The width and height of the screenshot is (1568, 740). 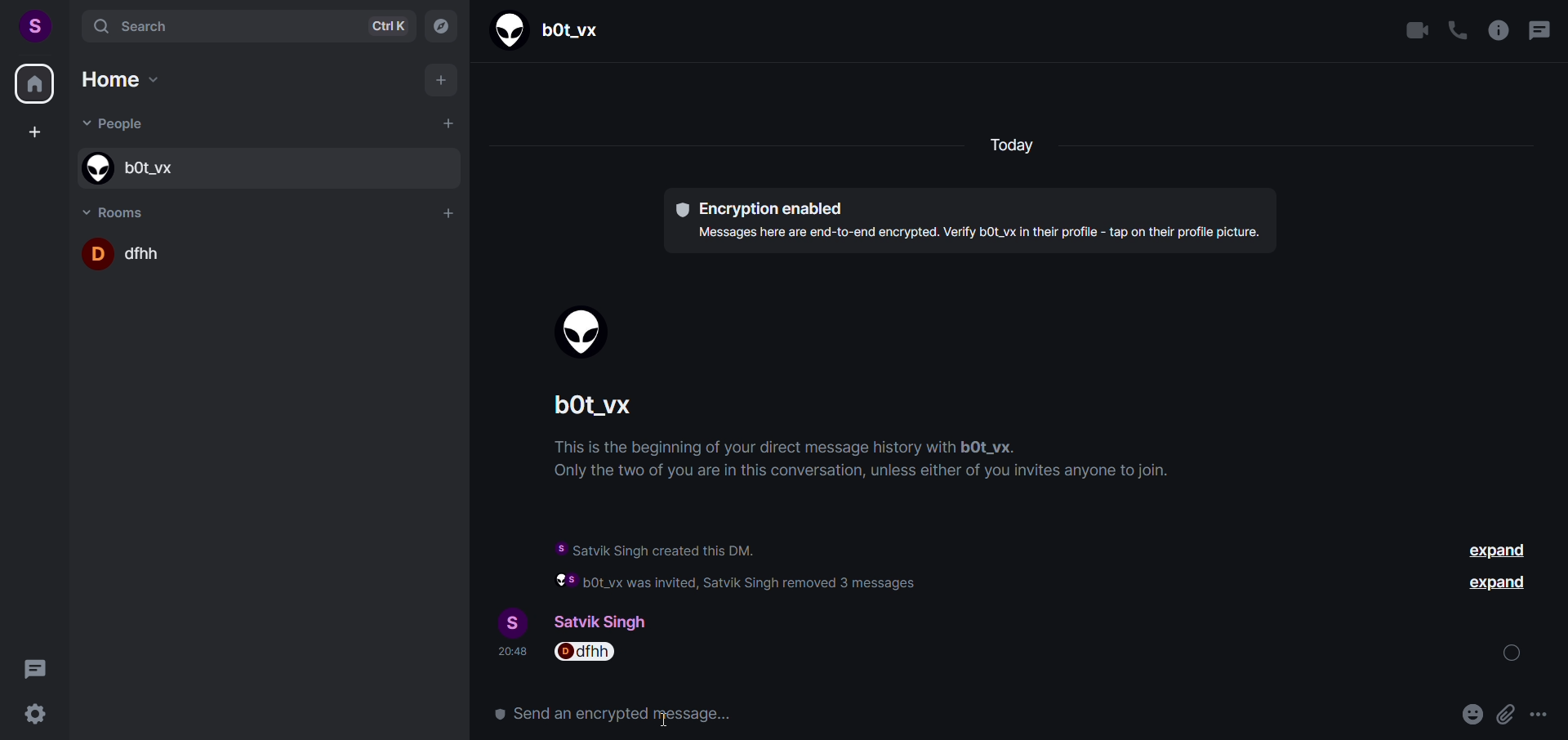 I want to click on threads, so click(x=1538, y=33).